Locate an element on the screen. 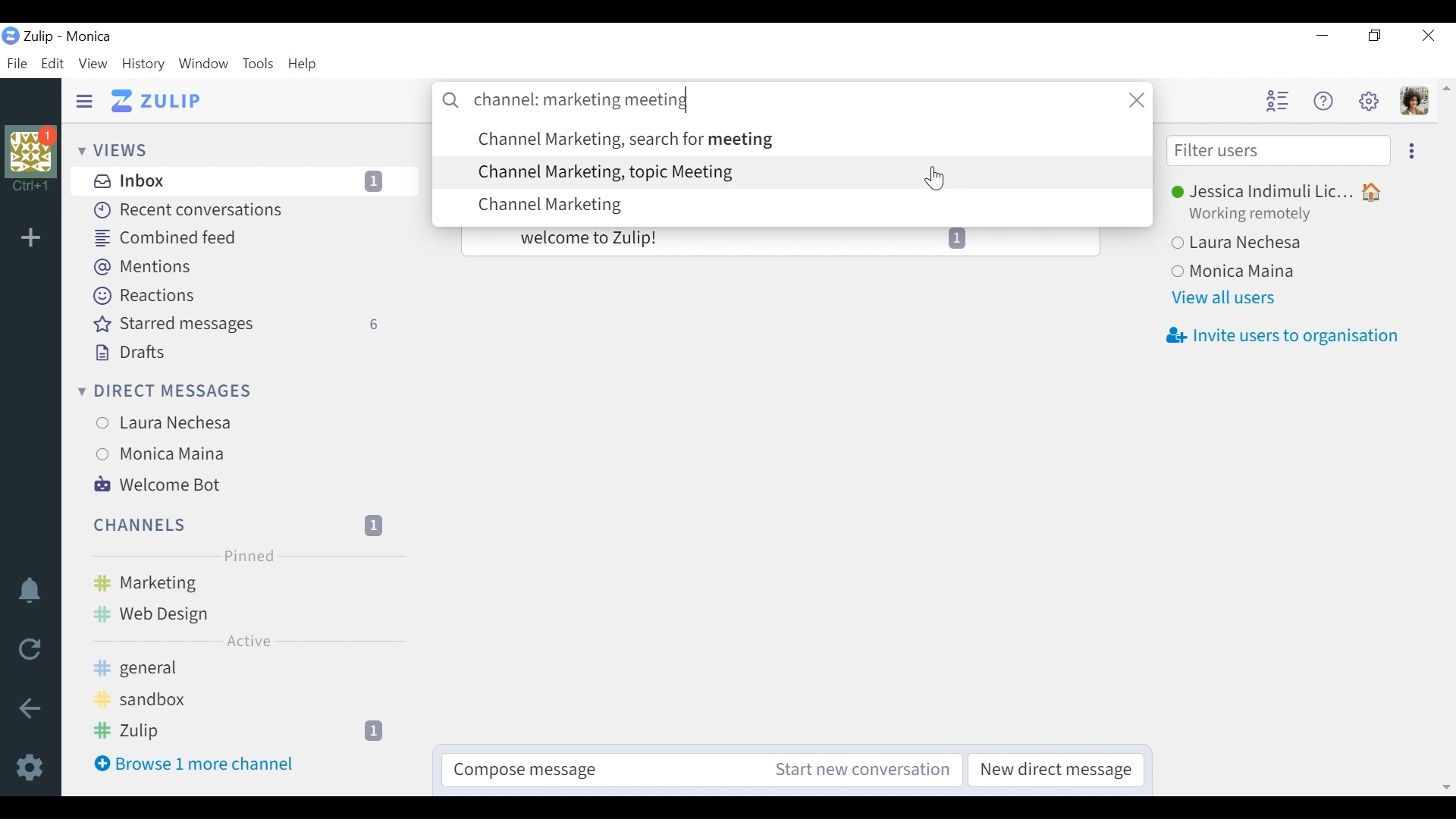 The image size is (1456, 819). New direct message is located at coordinates (1062, 770).